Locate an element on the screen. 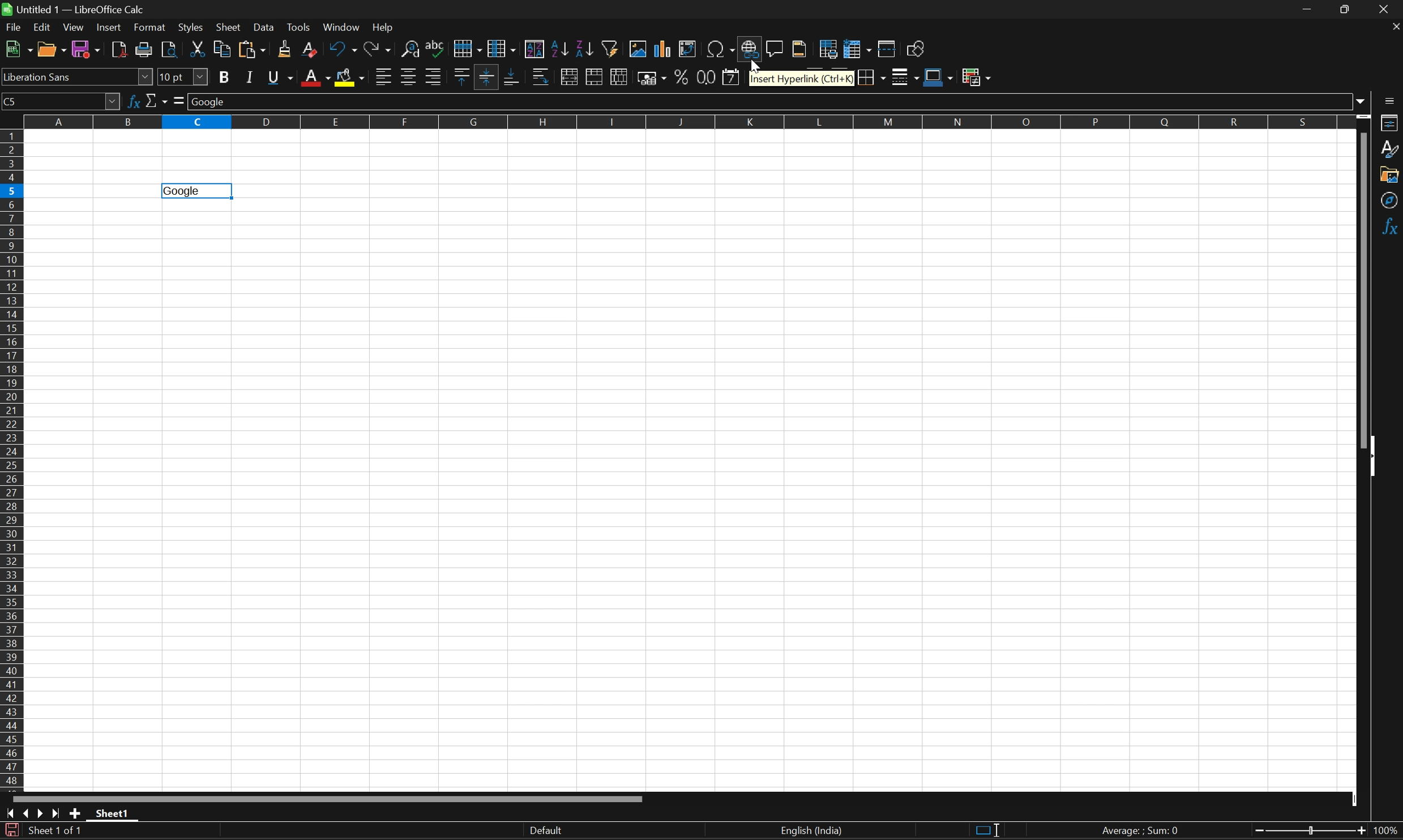 The image size is (1403, 840). Insert is located at coordinates (110, 27).